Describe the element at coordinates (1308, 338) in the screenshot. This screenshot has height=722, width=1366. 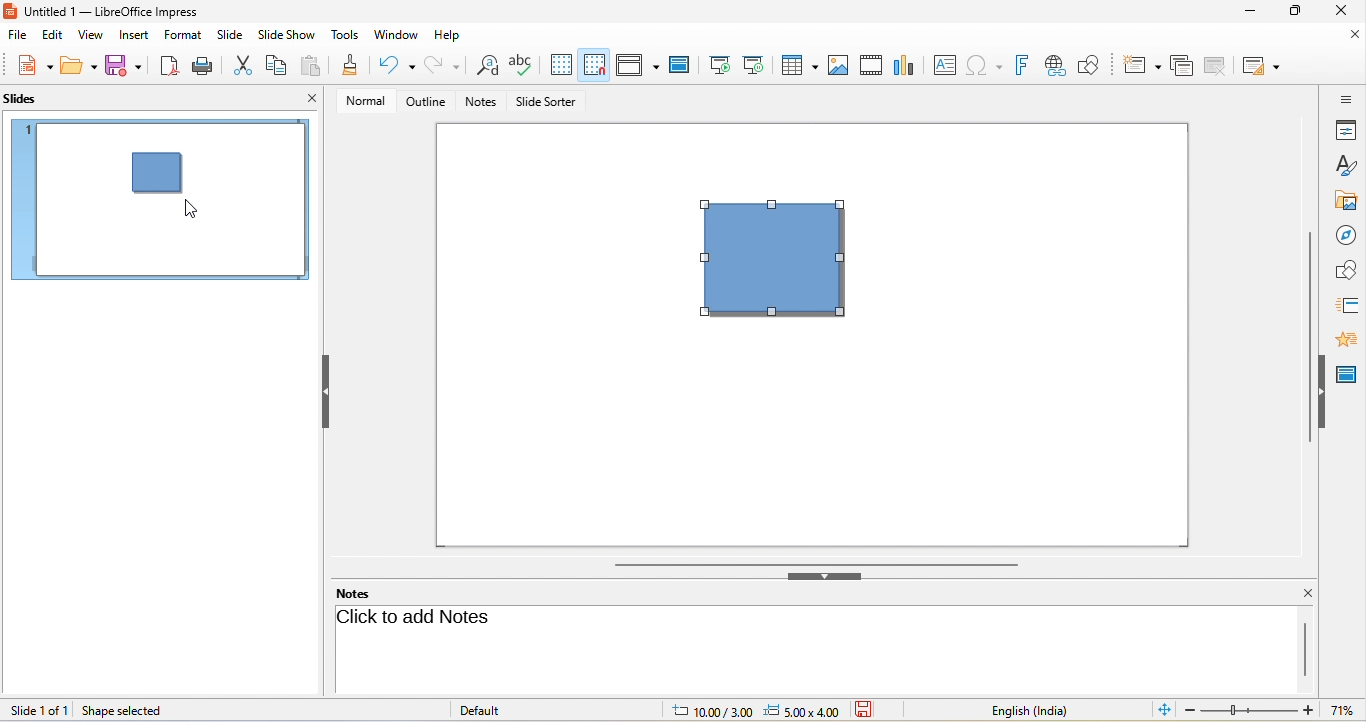
I see `vertical scroll bar` at that location.